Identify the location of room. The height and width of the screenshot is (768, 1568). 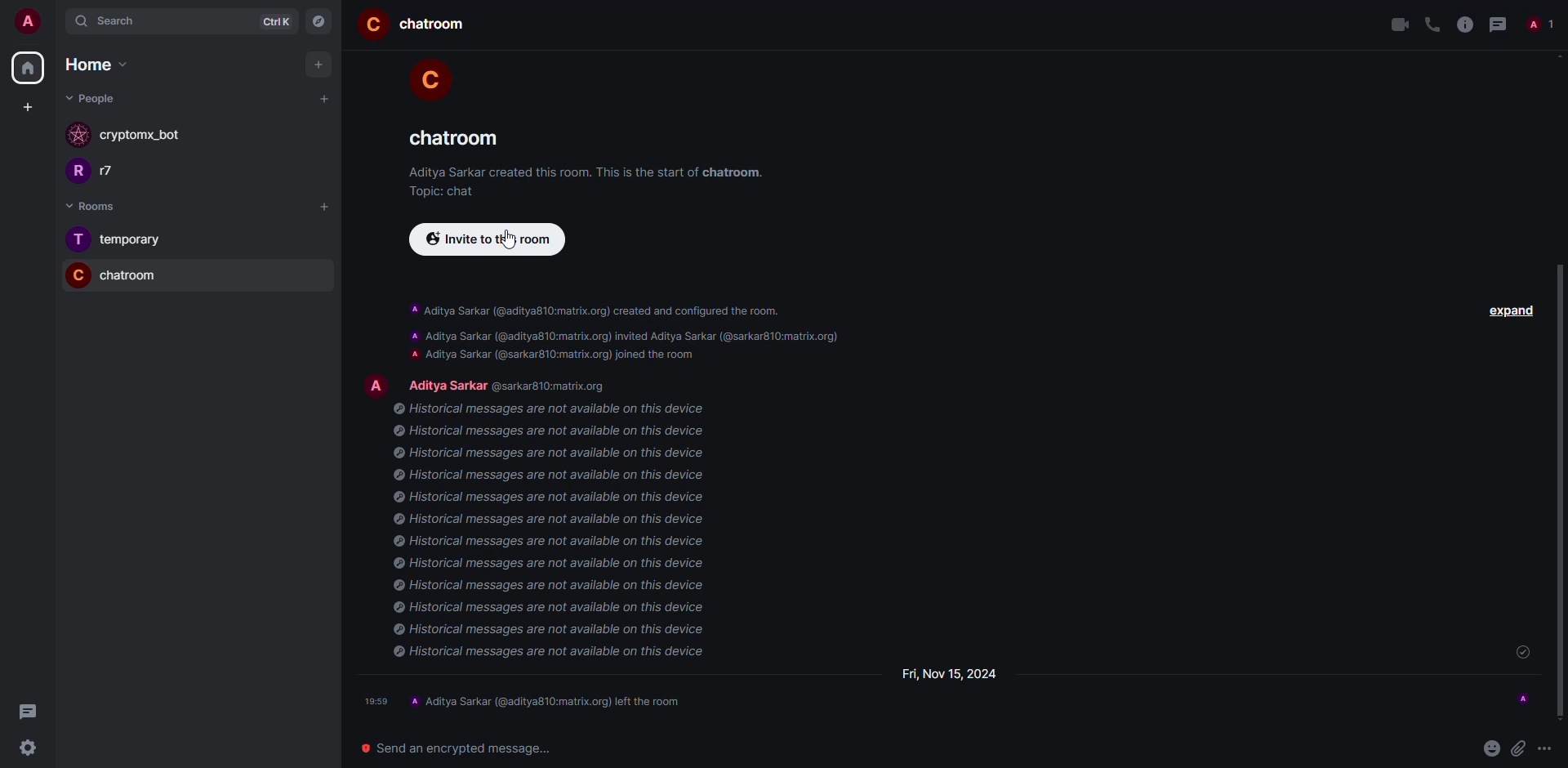
(448, 138).